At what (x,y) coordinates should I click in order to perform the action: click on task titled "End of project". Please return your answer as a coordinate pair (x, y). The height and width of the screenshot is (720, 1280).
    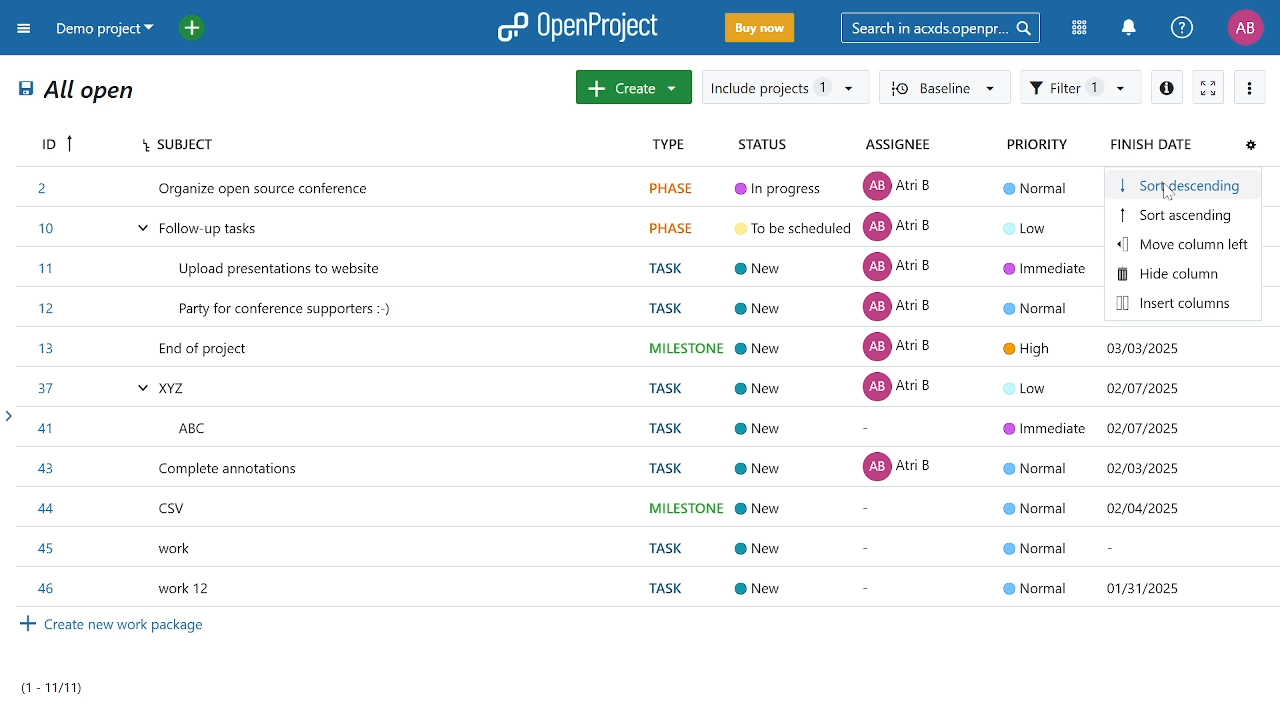
    Looking at the image, I should click on (655, 347).